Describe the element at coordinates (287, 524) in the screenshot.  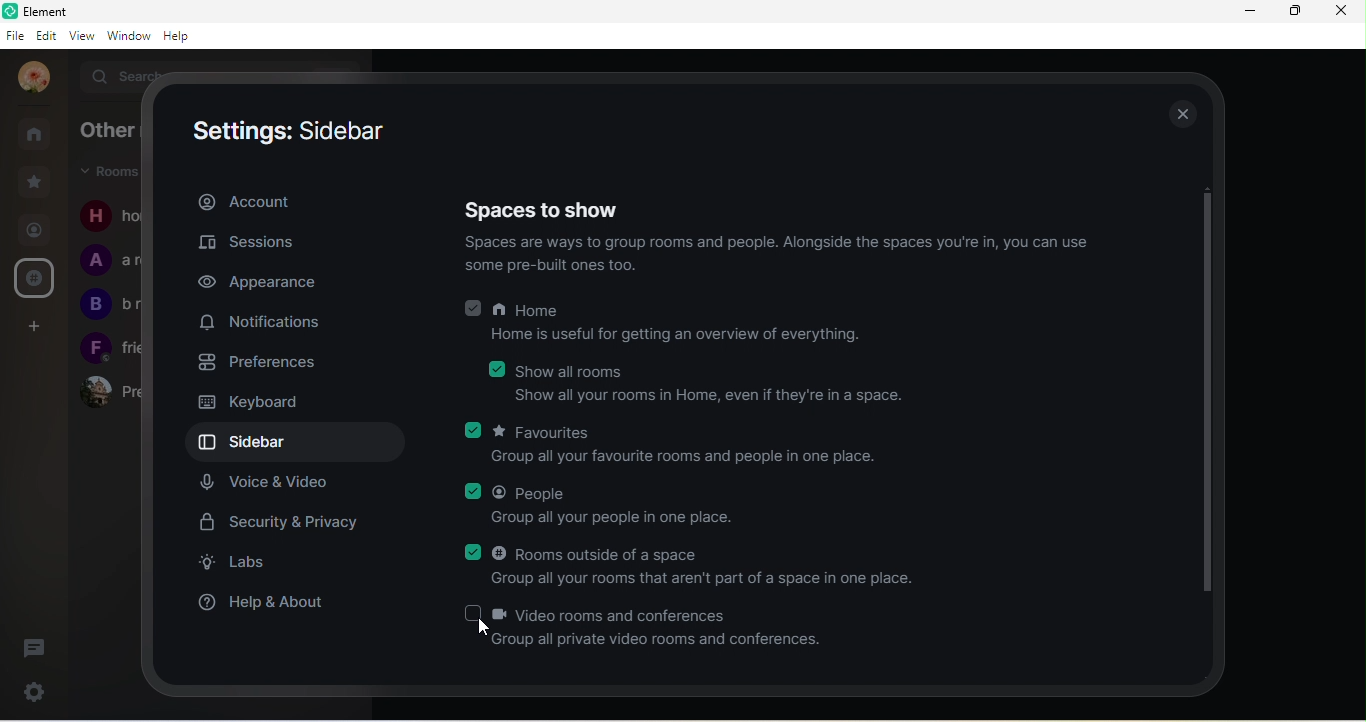
I see `security and privacy` at that location.